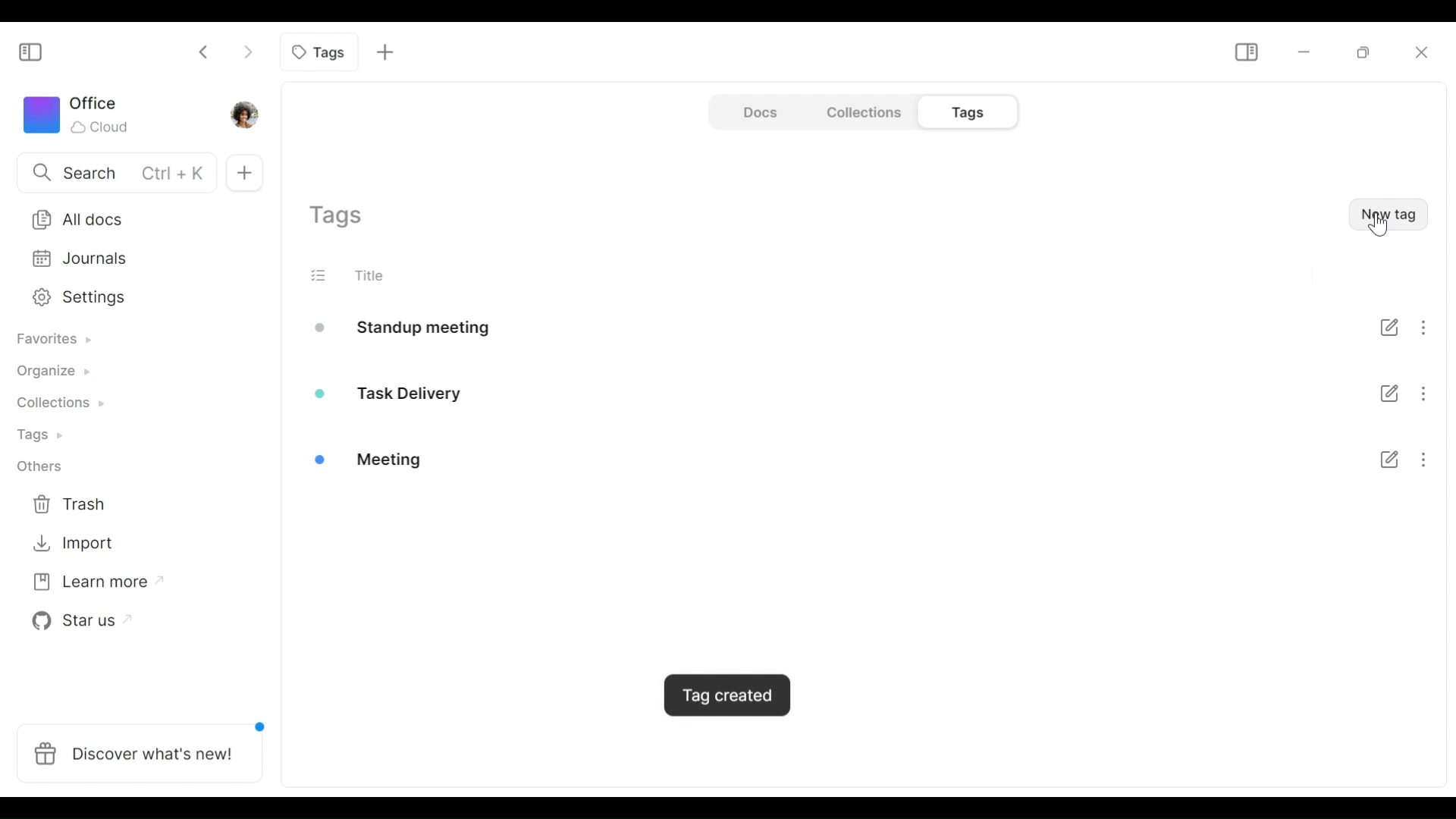 Image resolution: width=1456 pixels, height=819 pixels. Describe the element at coordinates (962, 113) in the screenshot. I see `Tags` at that location.